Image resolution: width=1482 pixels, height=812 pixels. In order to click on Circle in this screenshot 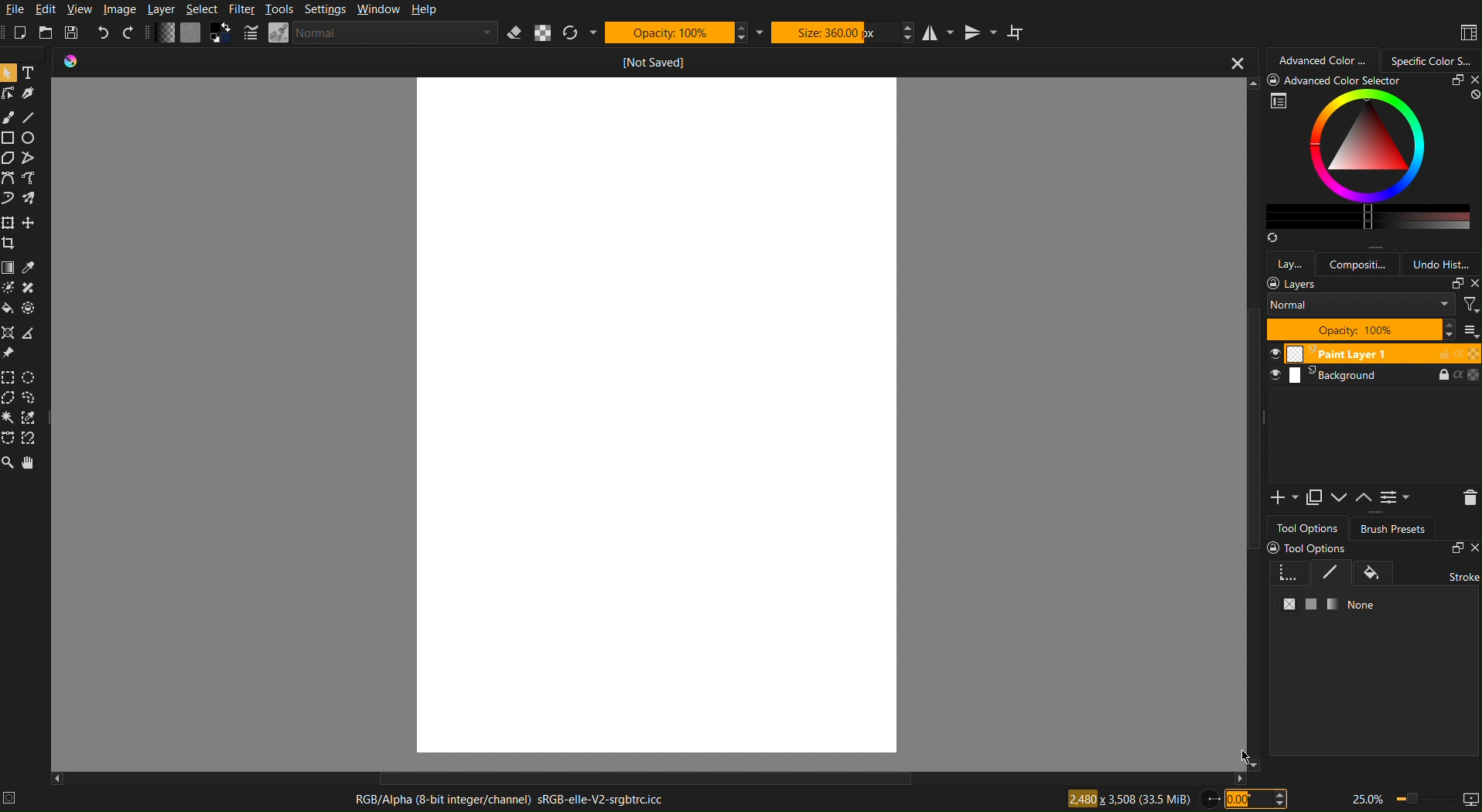, I will do `click(29, 136)`.